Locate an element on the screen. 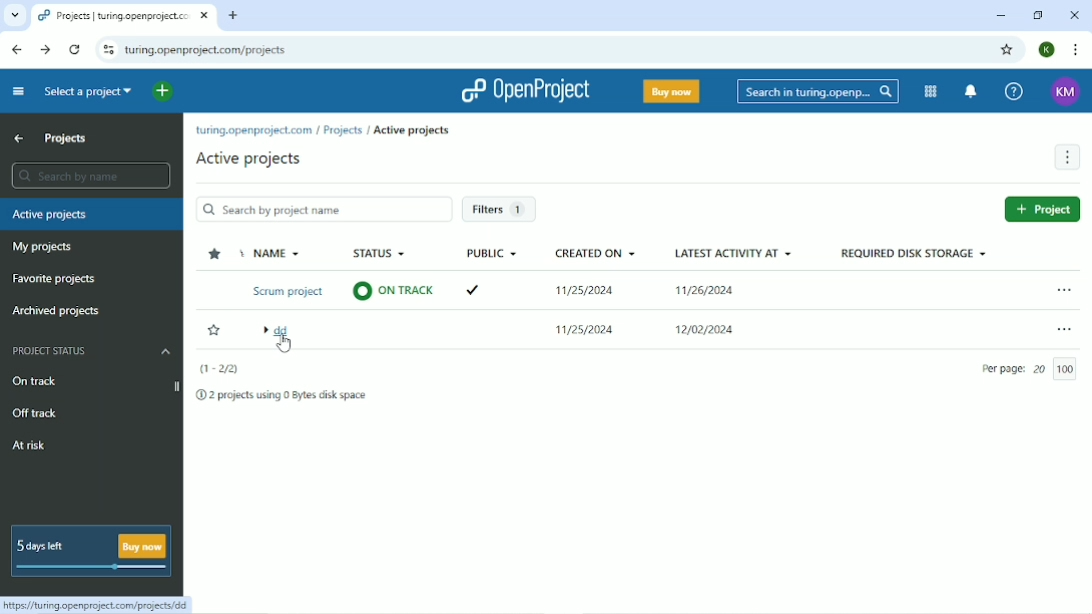  My projects is located at coordinates (48, 247).